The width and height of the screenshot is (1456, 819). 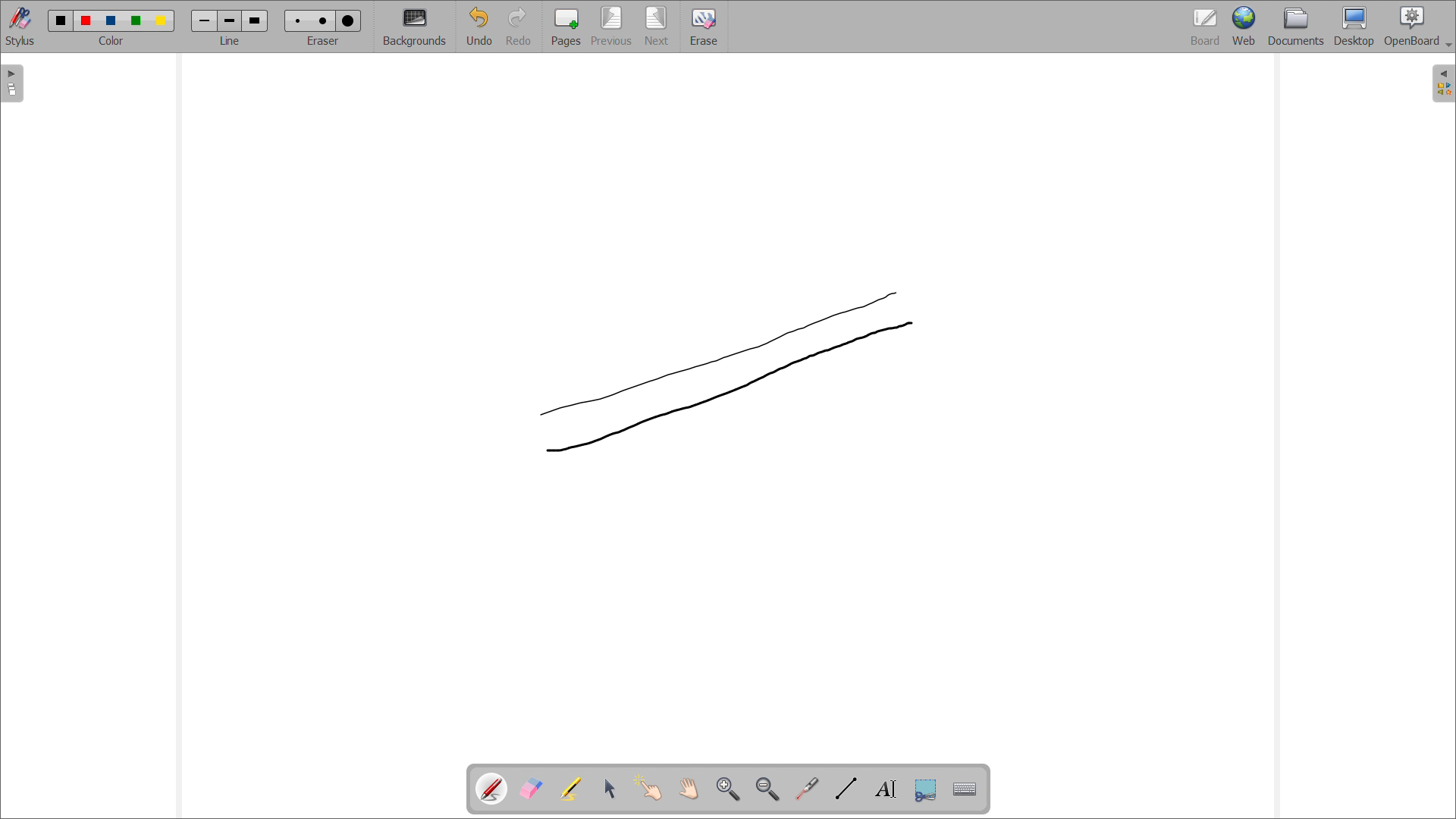 What do you see at coordinates (299, 20) in the screenshot?
I see `Eraser size` at bounding box center [299, 20].